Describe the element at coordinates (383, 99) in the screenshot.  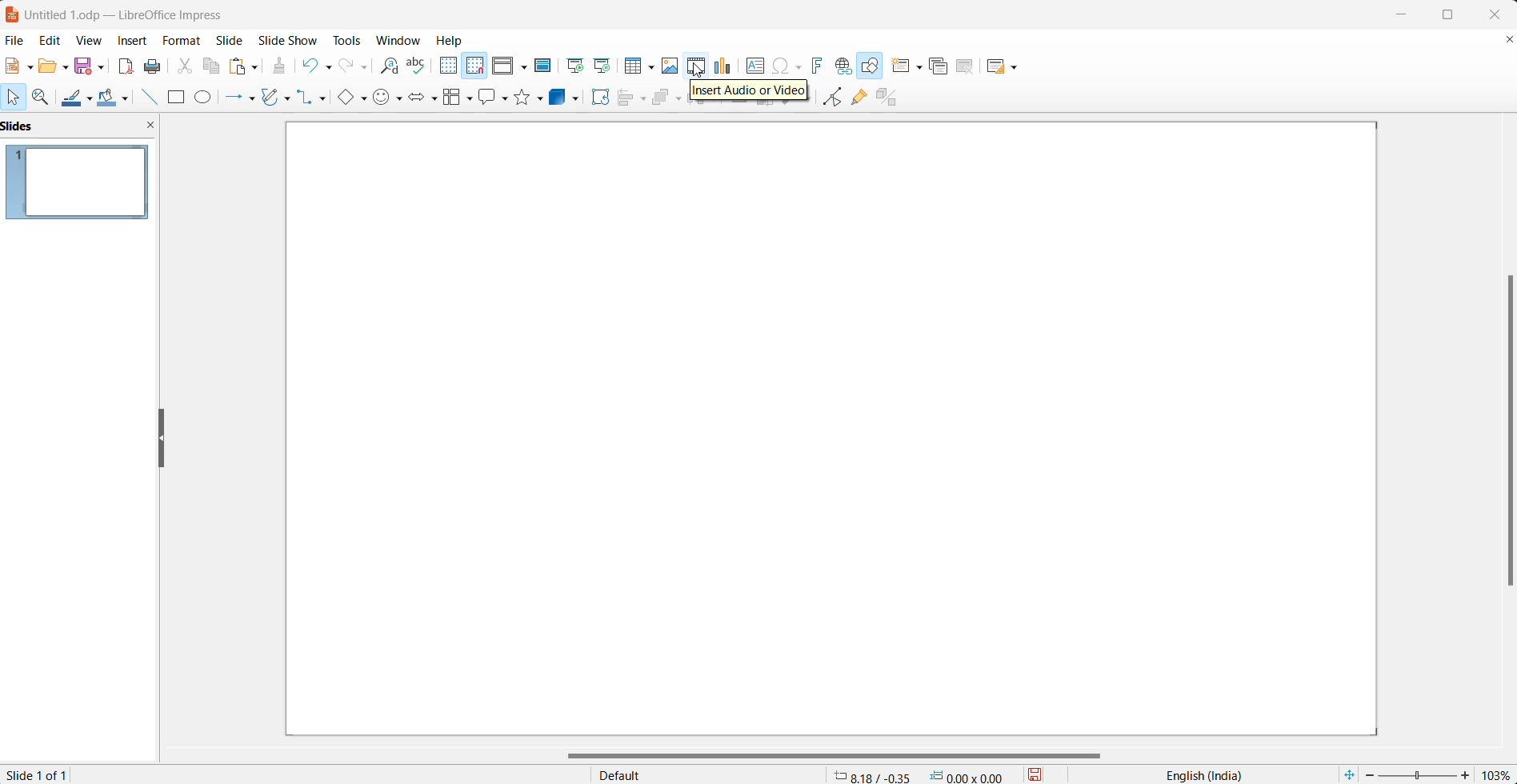
I see `symbol shapes option` at that location.